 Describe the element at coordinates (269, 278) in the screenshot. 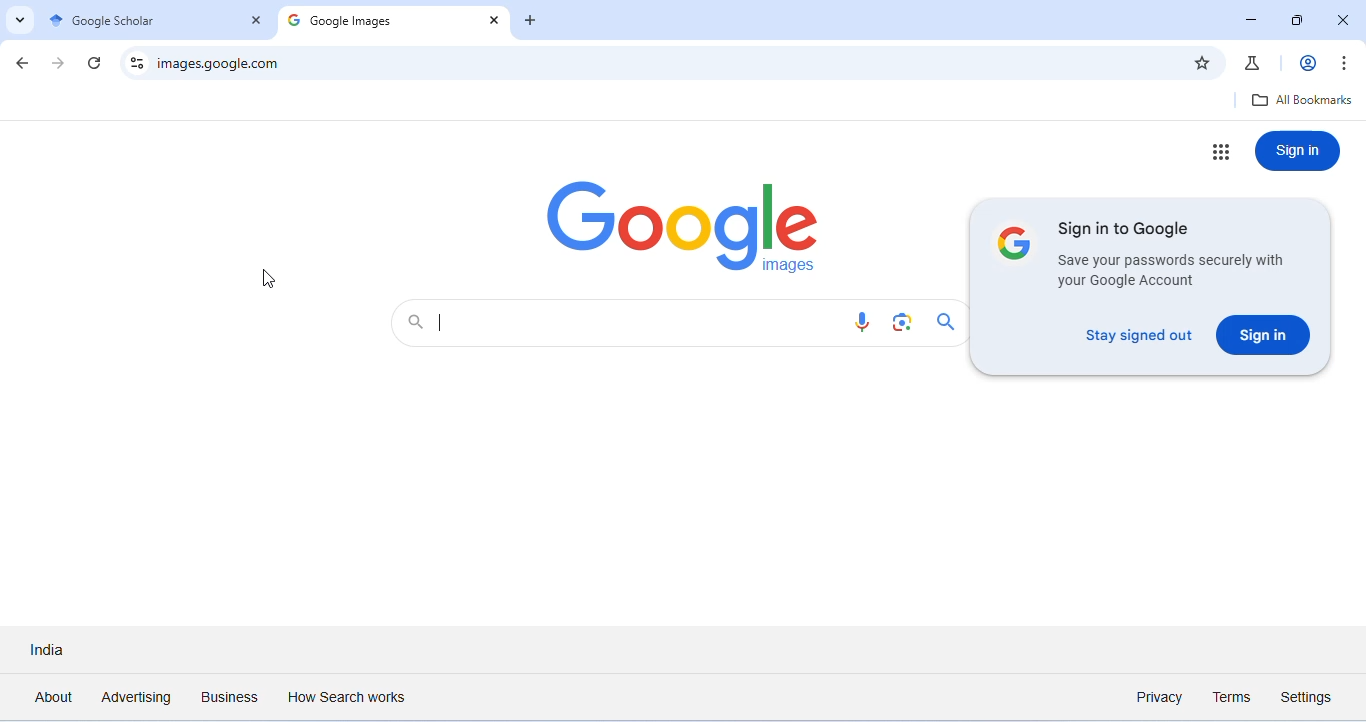

I see `cursor movement` at that location.